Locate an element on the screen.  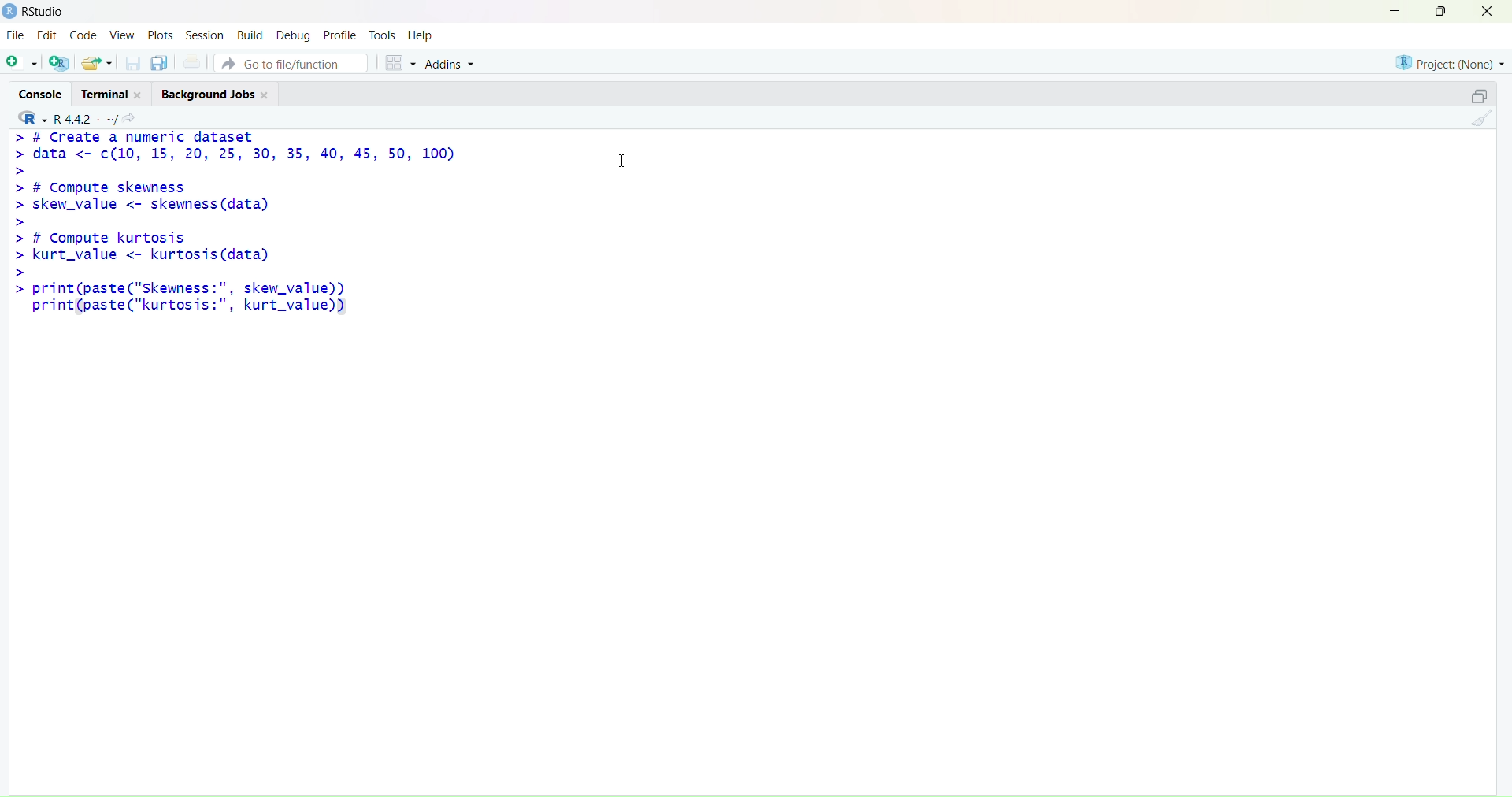
Text cursor is located at coordinates (626, 159).